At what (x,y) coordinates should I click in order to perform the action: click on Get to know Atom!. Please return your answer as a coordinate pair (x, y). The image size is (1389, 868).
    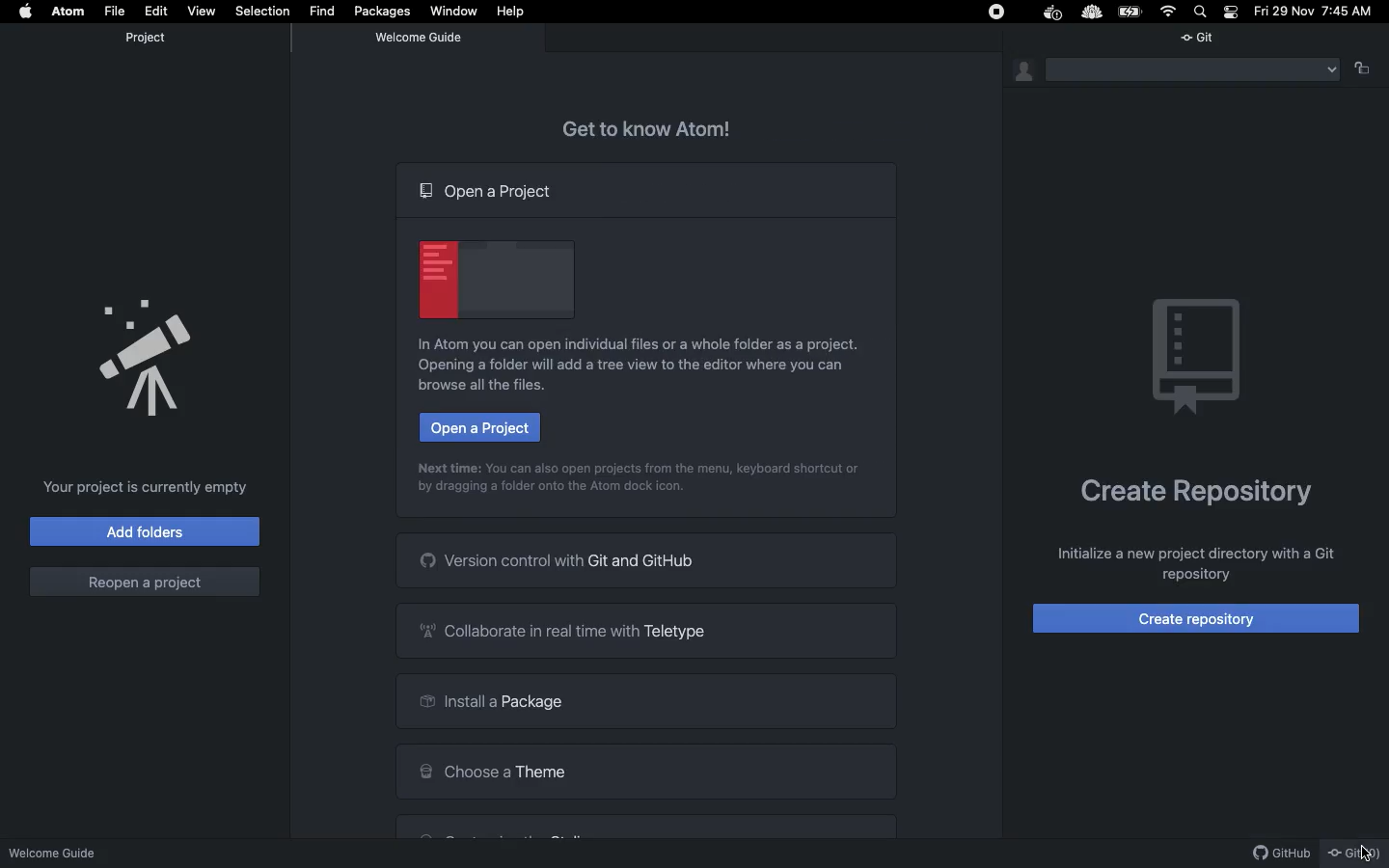
    Looking at the image, I should click on (660, 125).